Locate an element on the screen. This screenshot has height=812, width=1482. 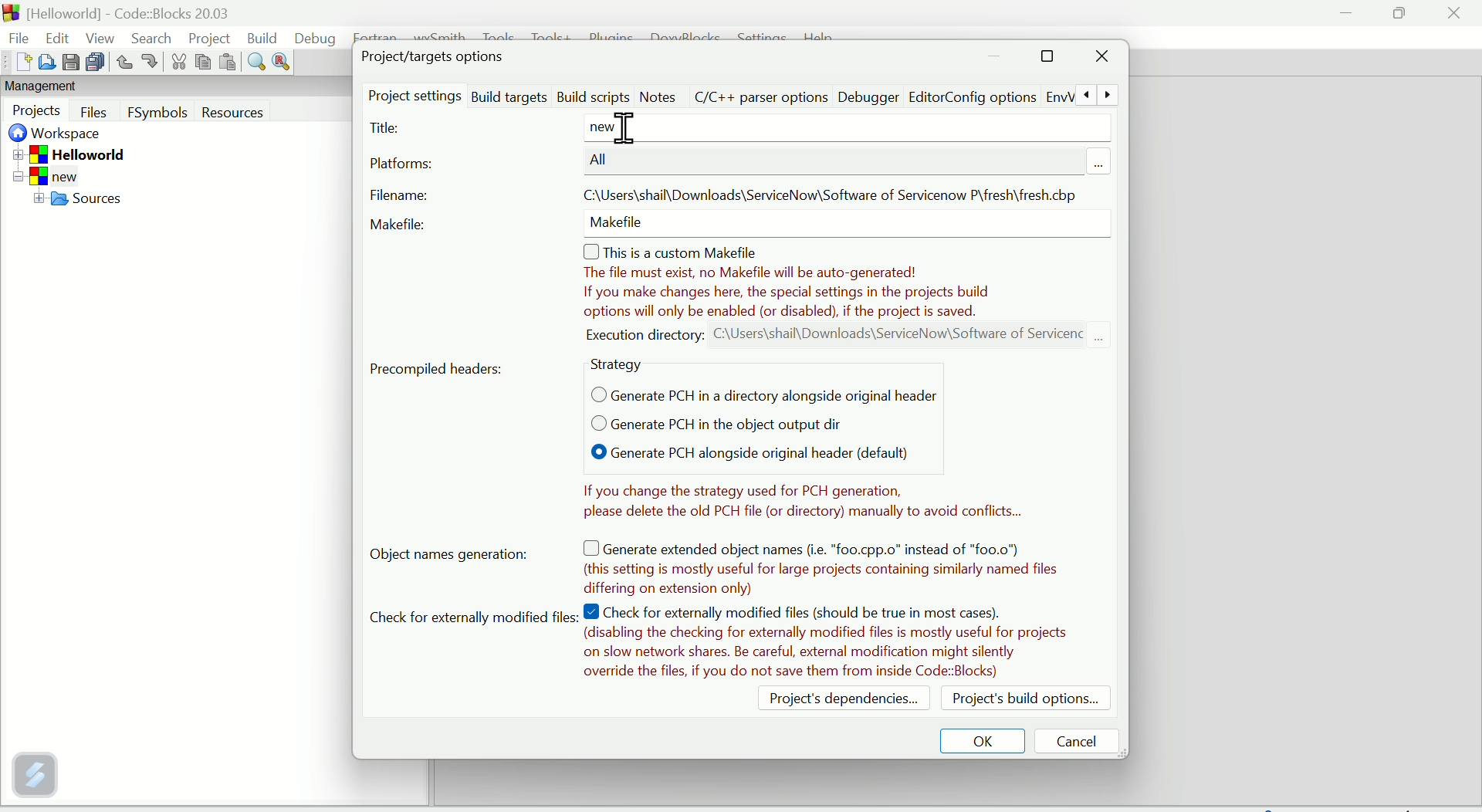
Hello World is located at coordinates (91, 154).